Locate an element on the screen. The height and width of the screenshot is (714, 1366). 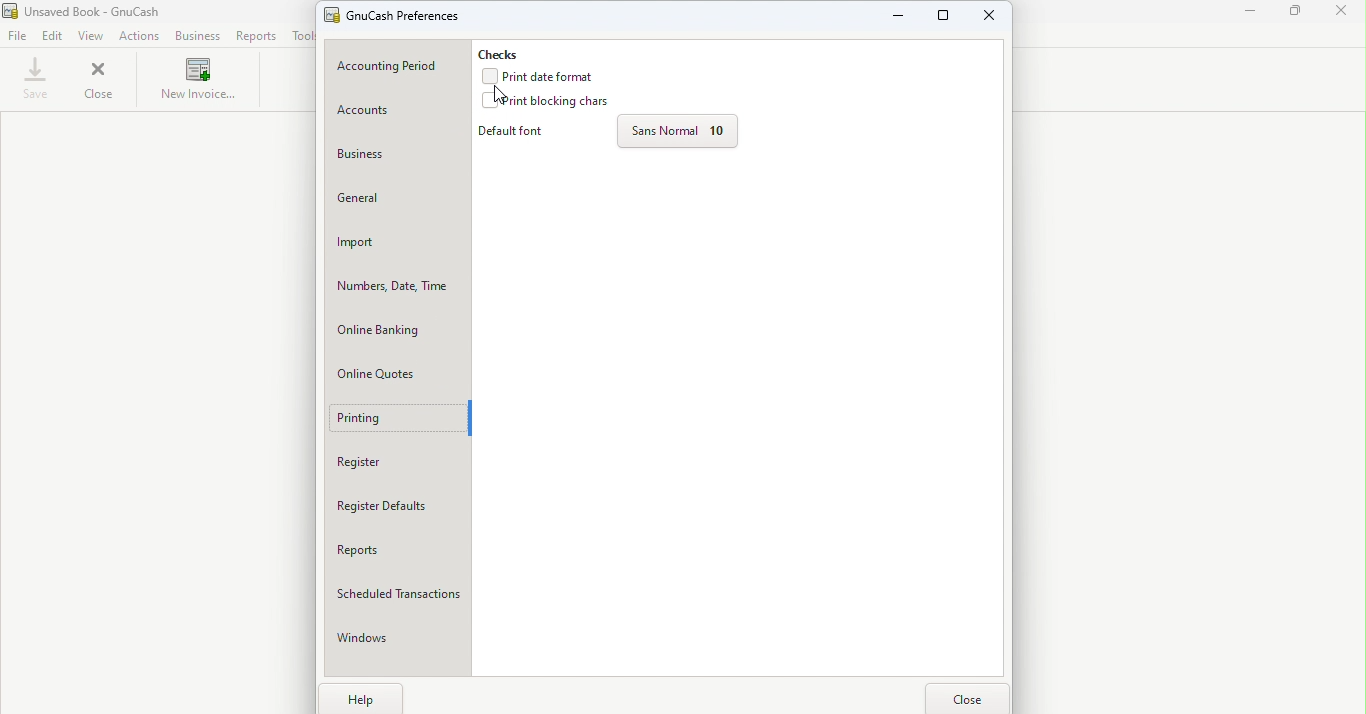
Help is located at coordinates (361, 698).